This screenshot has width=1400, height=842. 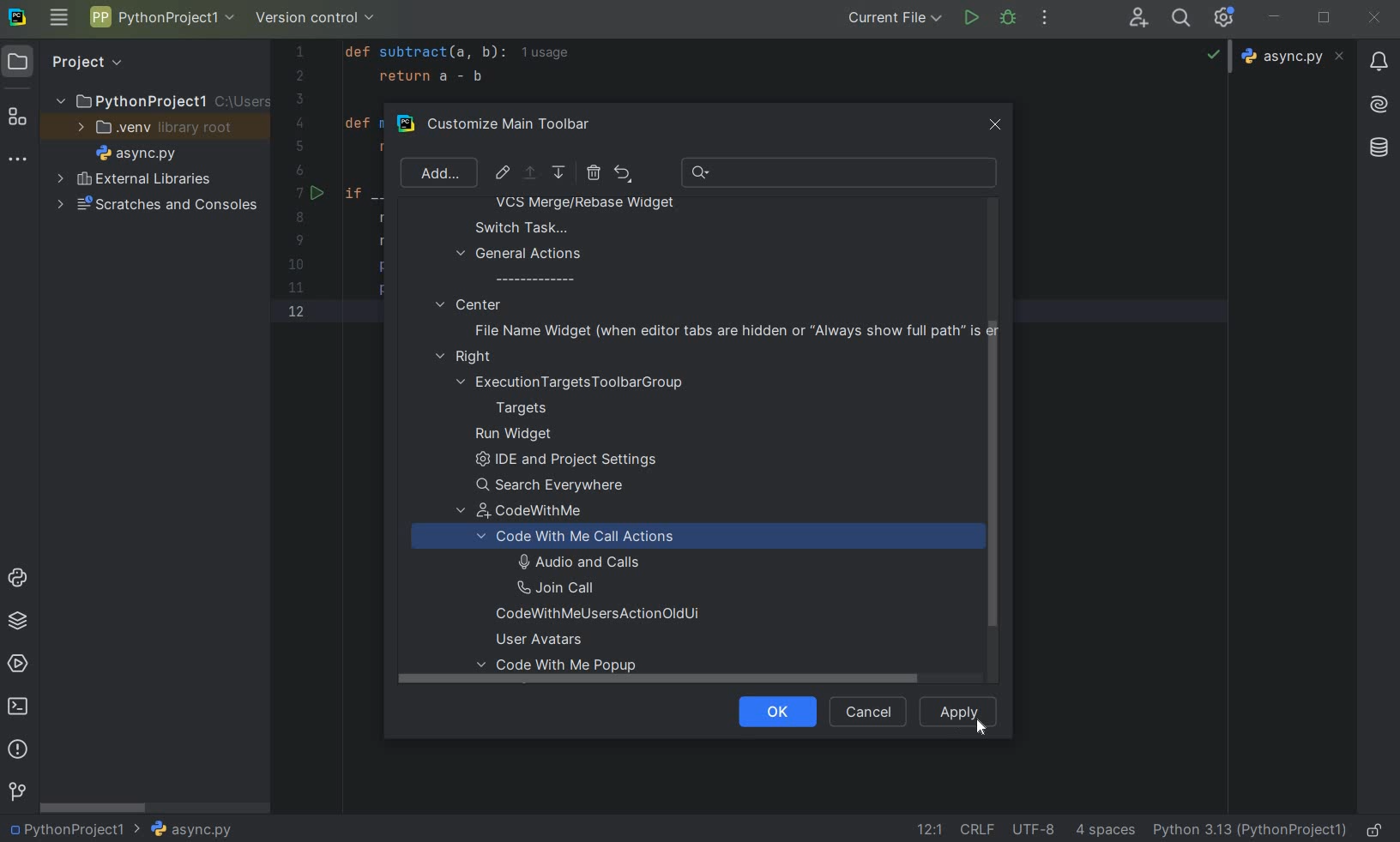 What do you see at coordinates (594, 537) in the screenshot?
I see `code with me call actions` at bounding box center [594, 537].